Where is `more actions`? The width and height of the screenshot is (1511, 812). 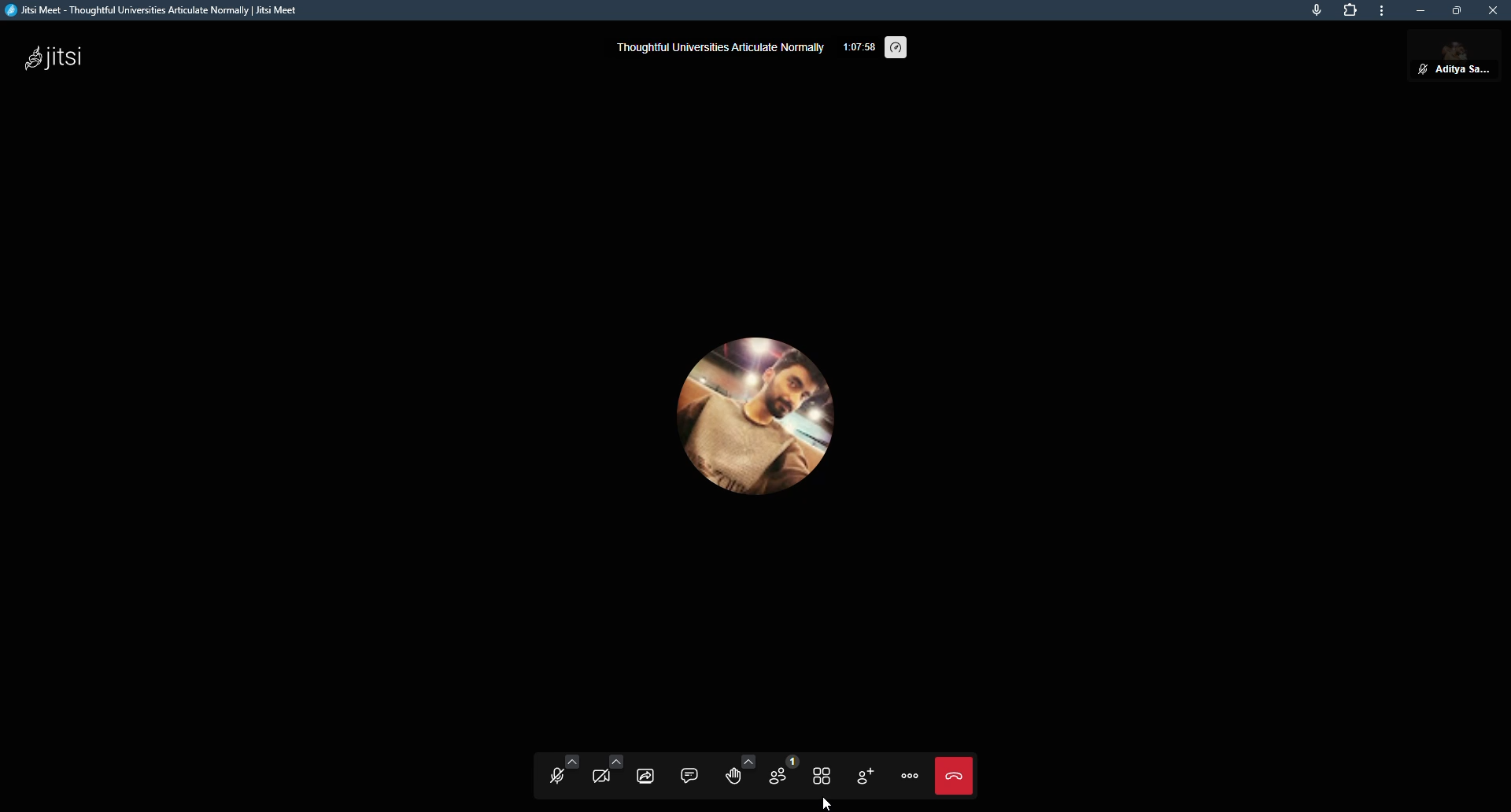
more actions is located at coordinates (912, 775).